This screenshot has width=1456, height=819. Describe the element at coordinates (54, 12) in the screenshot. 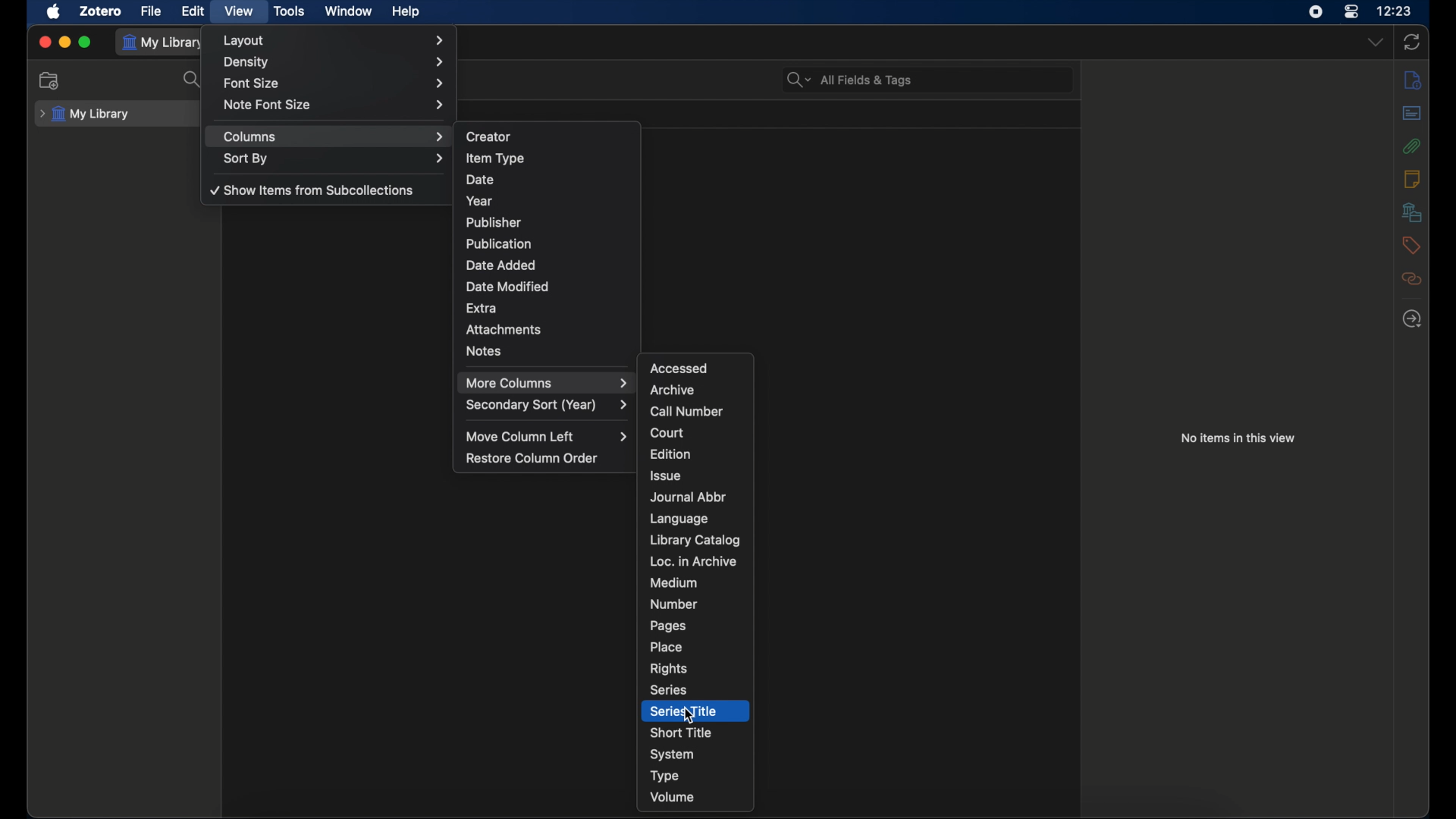

I see `apple` at that location.